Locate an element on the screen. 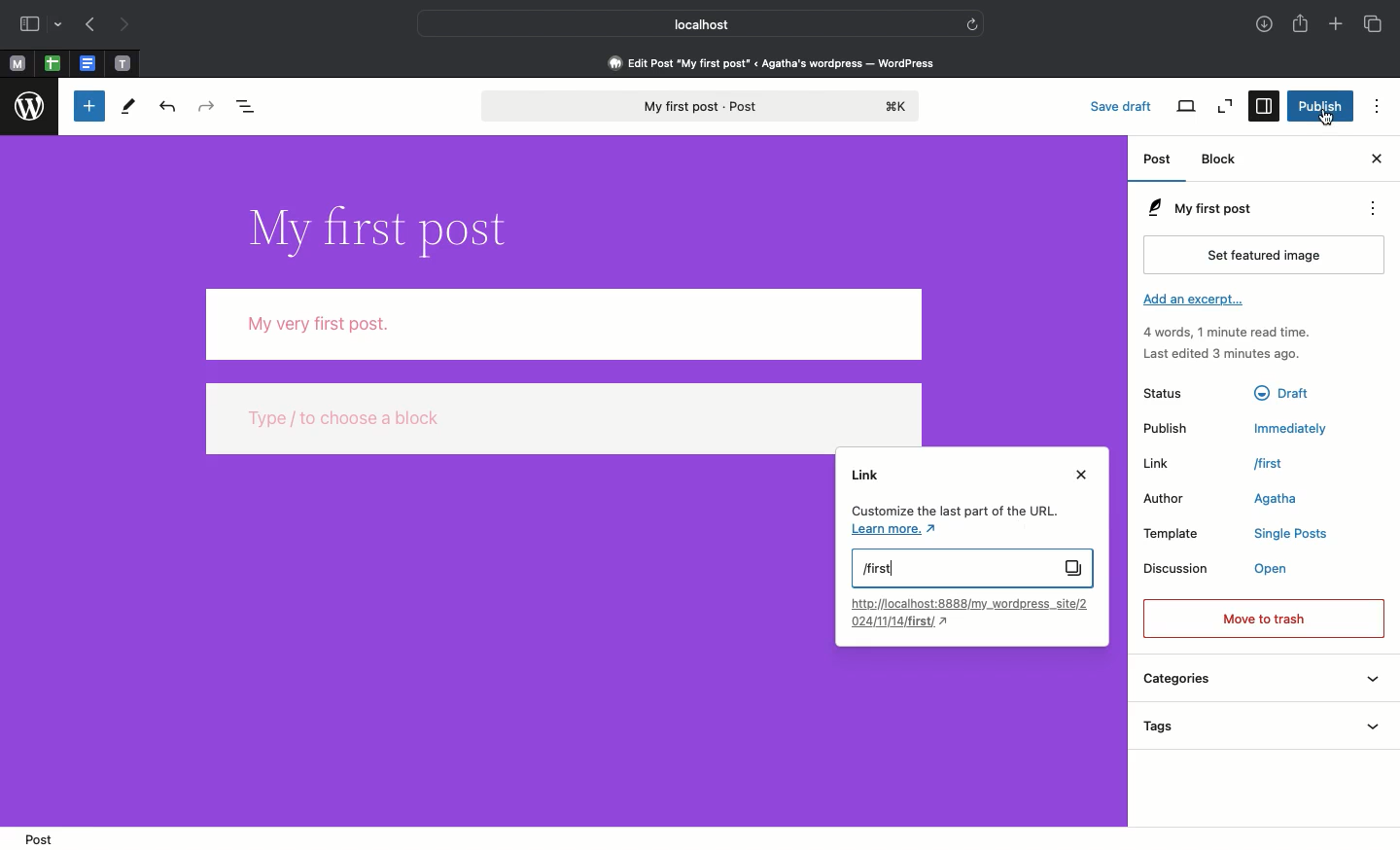  Publish is located at coordinates (1166, 426).